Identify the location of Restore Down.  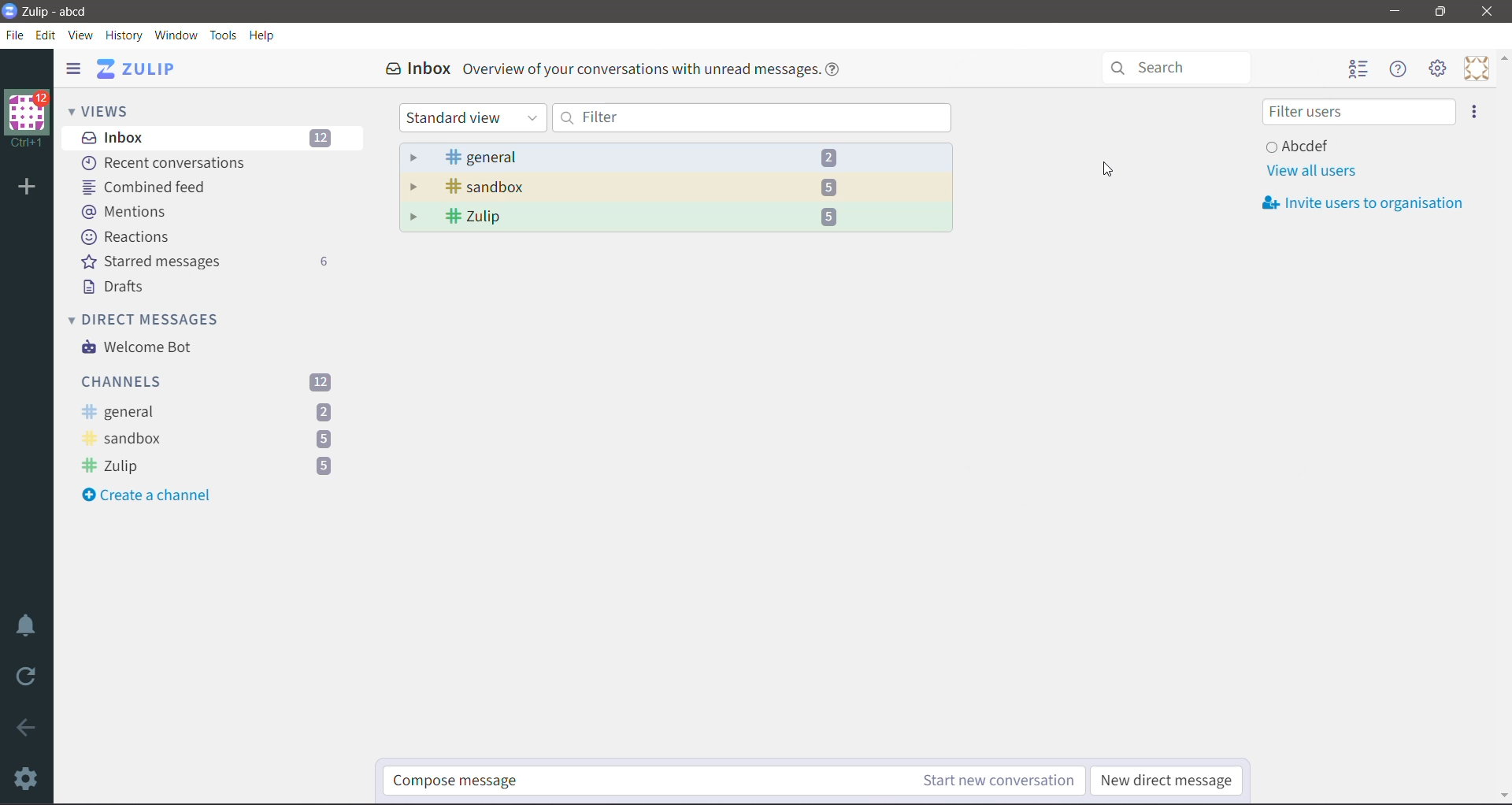
(1440, 13).